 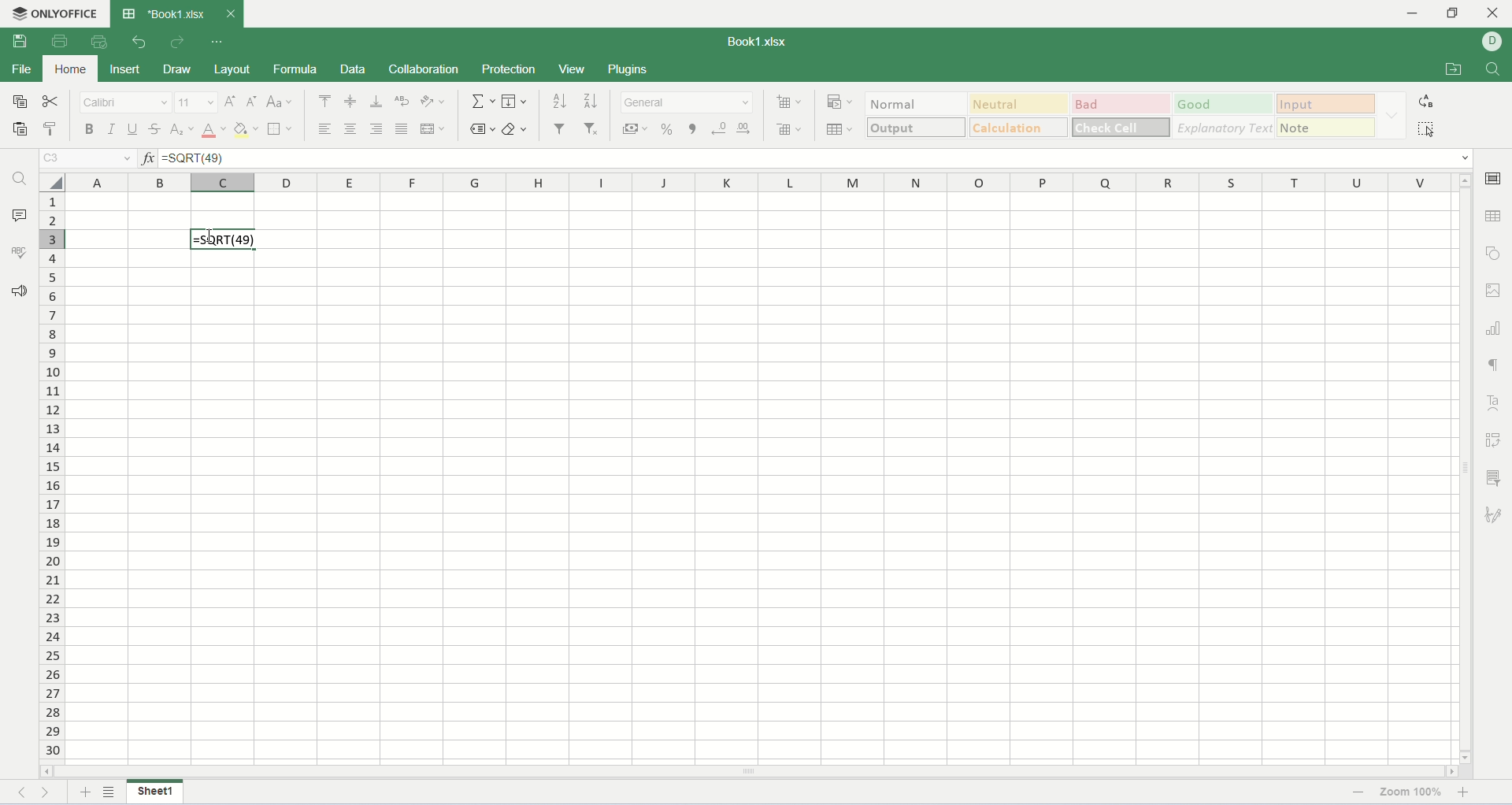 What do you see at coordinates (424, 69) in the screenshot?
I see `collaboration` at bounding box center [424, 69].